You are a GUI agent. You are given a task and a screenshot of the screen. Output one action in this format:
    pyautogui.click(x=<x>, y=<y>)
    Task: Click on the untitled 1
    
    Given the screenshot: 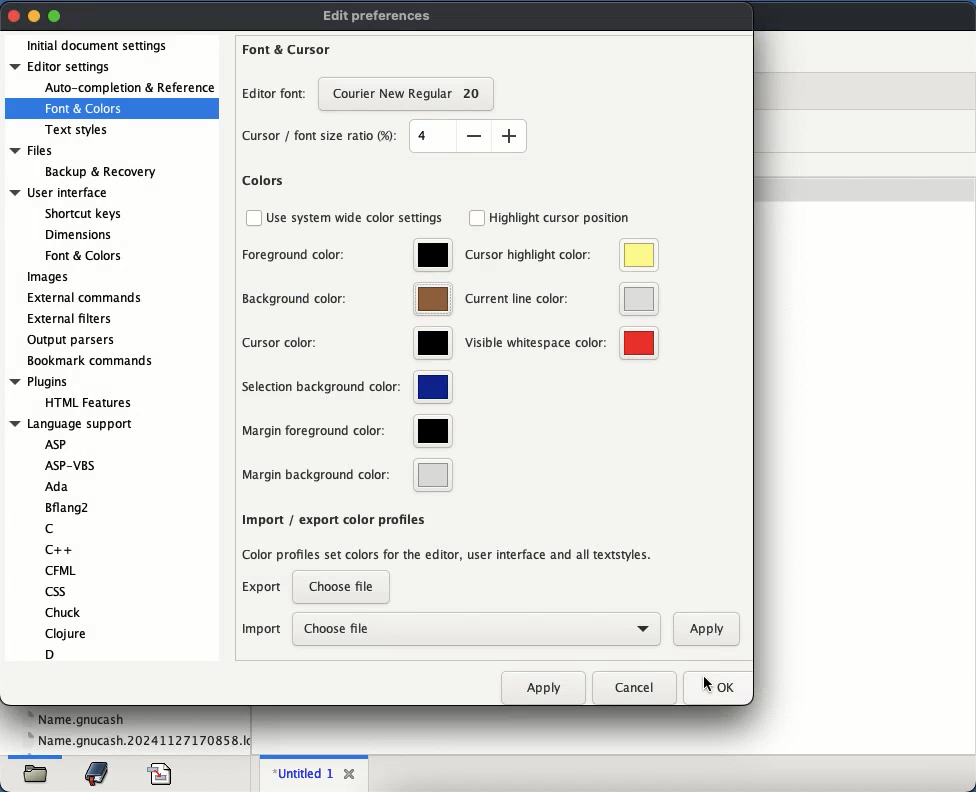 What is the action you would take?
    pyautogui.click(x=301, y=773)
    